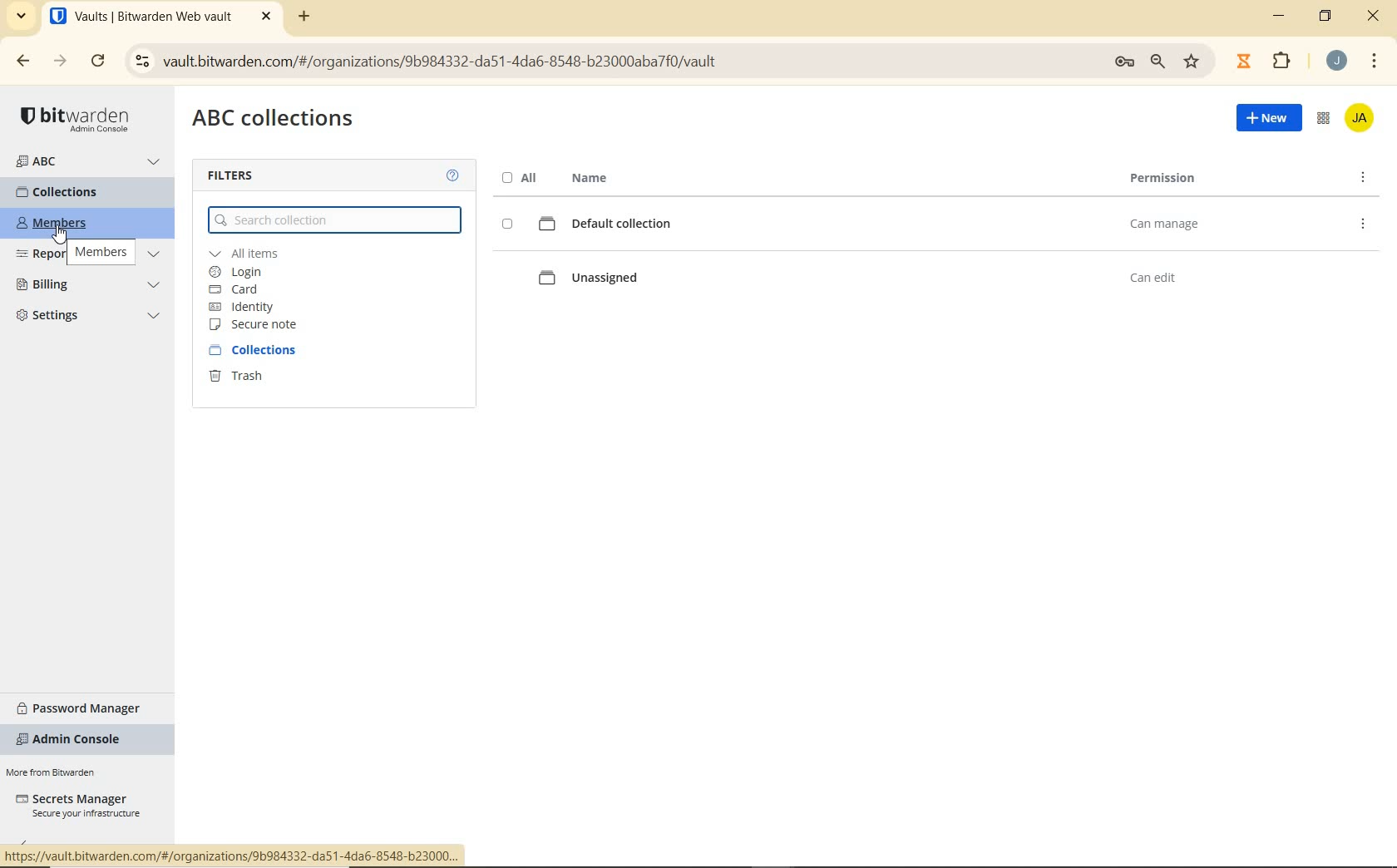 The image size is (1397, 868). What do you see at coordinates (256, 326) in the screenshot?
I see `SECURE NOTE` at bounding box center [256, 326].